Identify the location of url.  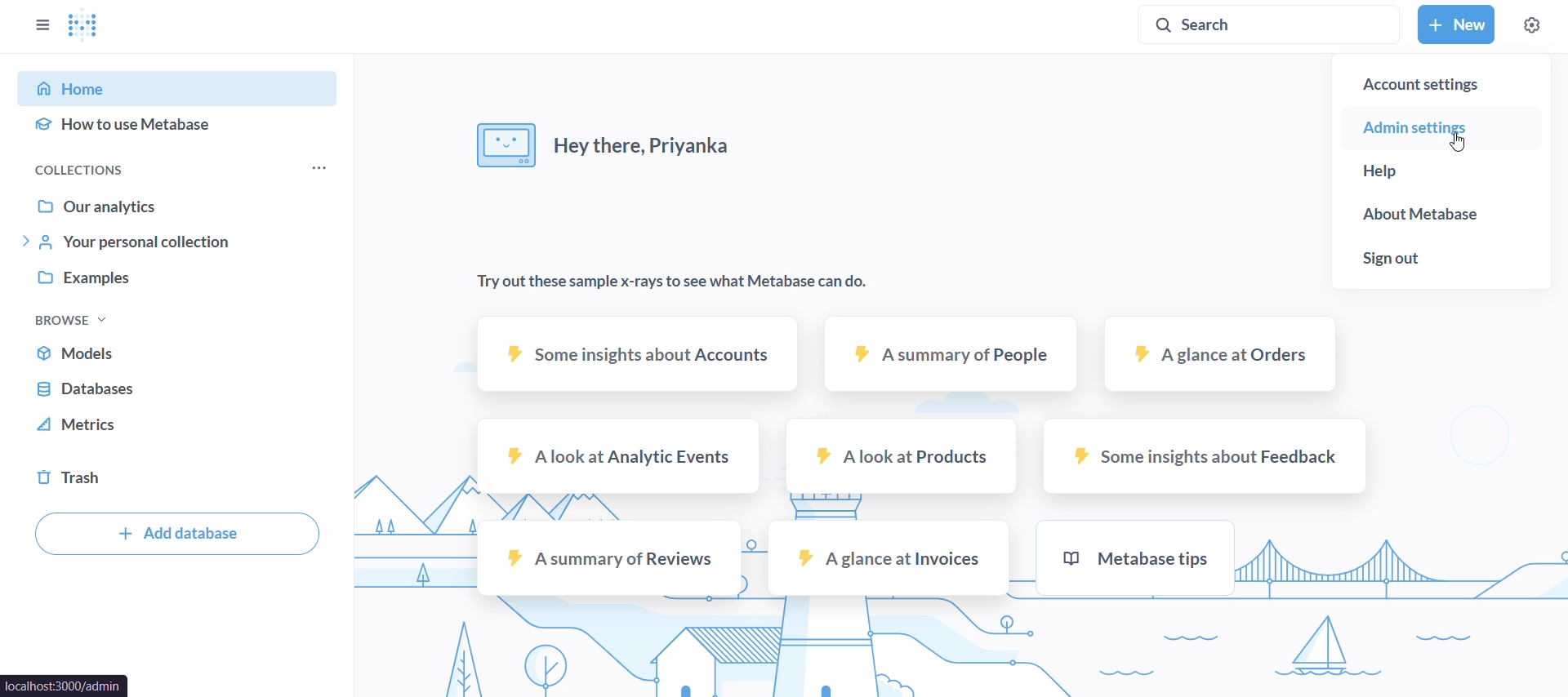
(65, 684).